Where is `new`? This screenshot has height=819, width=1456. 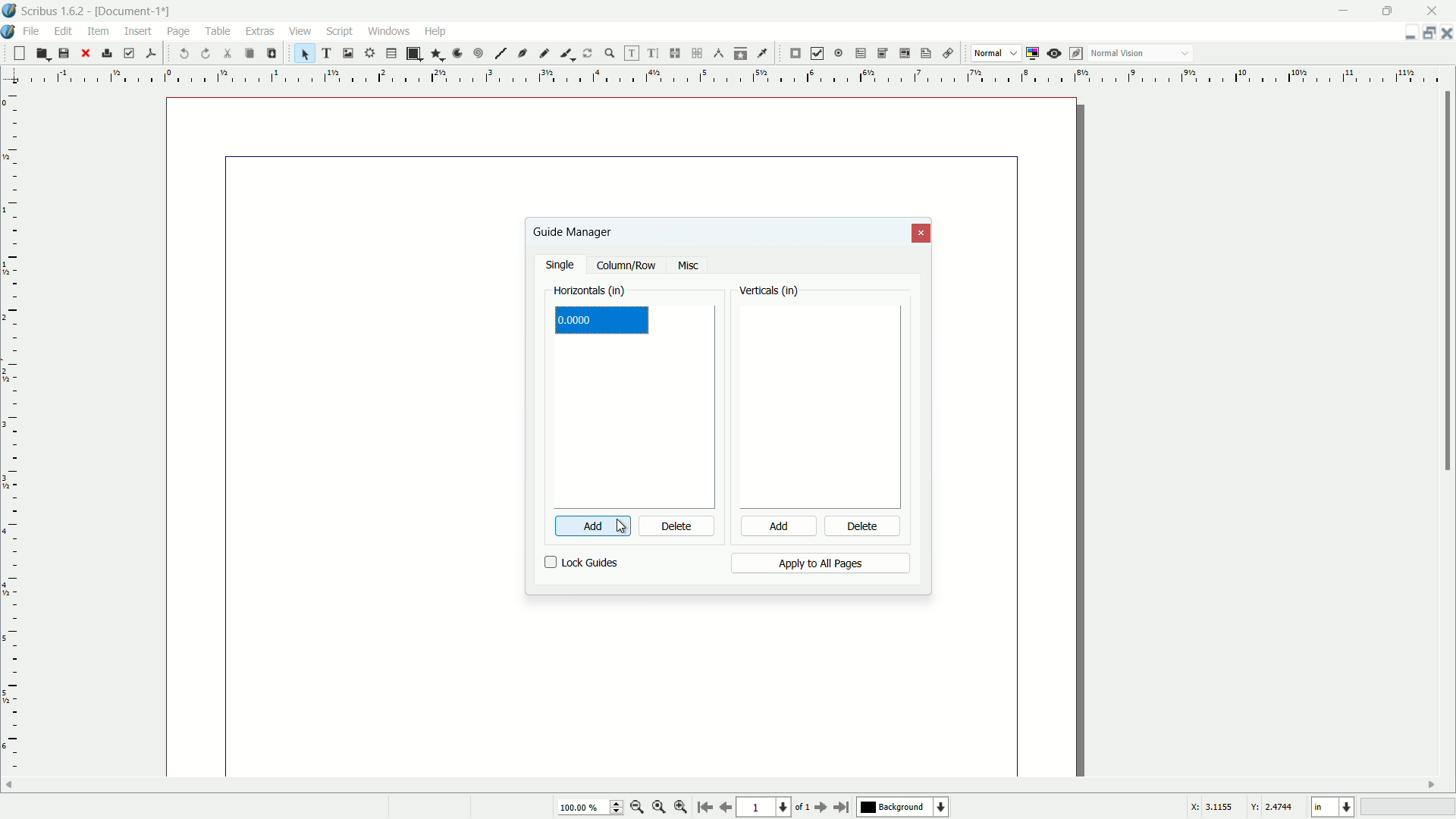
new is located at coordinates (17, 53).